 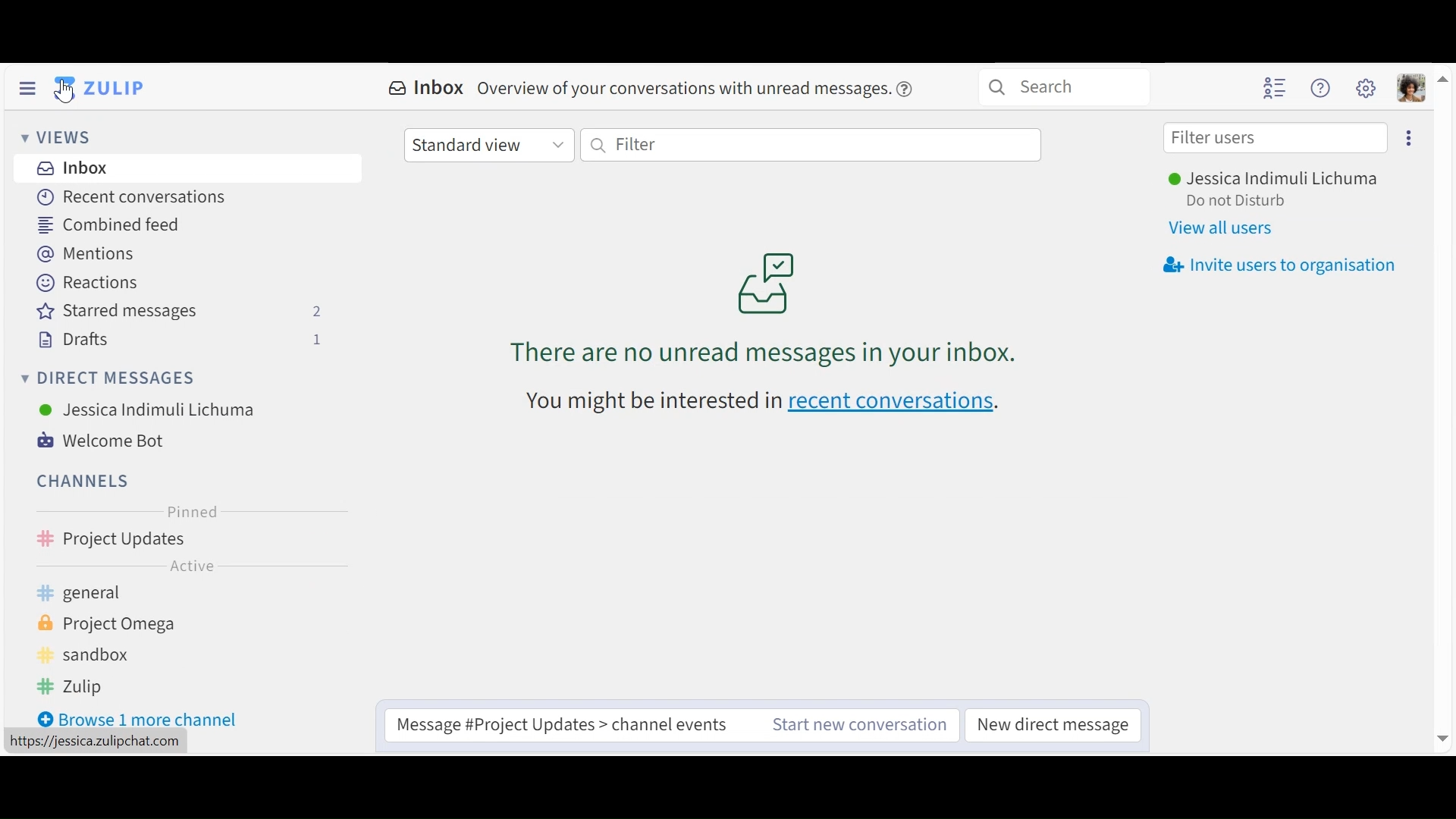 What do you see at coordinates (133, 198) in the screenshot?
I see `Recent Conversations` at bounding box center [133, 198].